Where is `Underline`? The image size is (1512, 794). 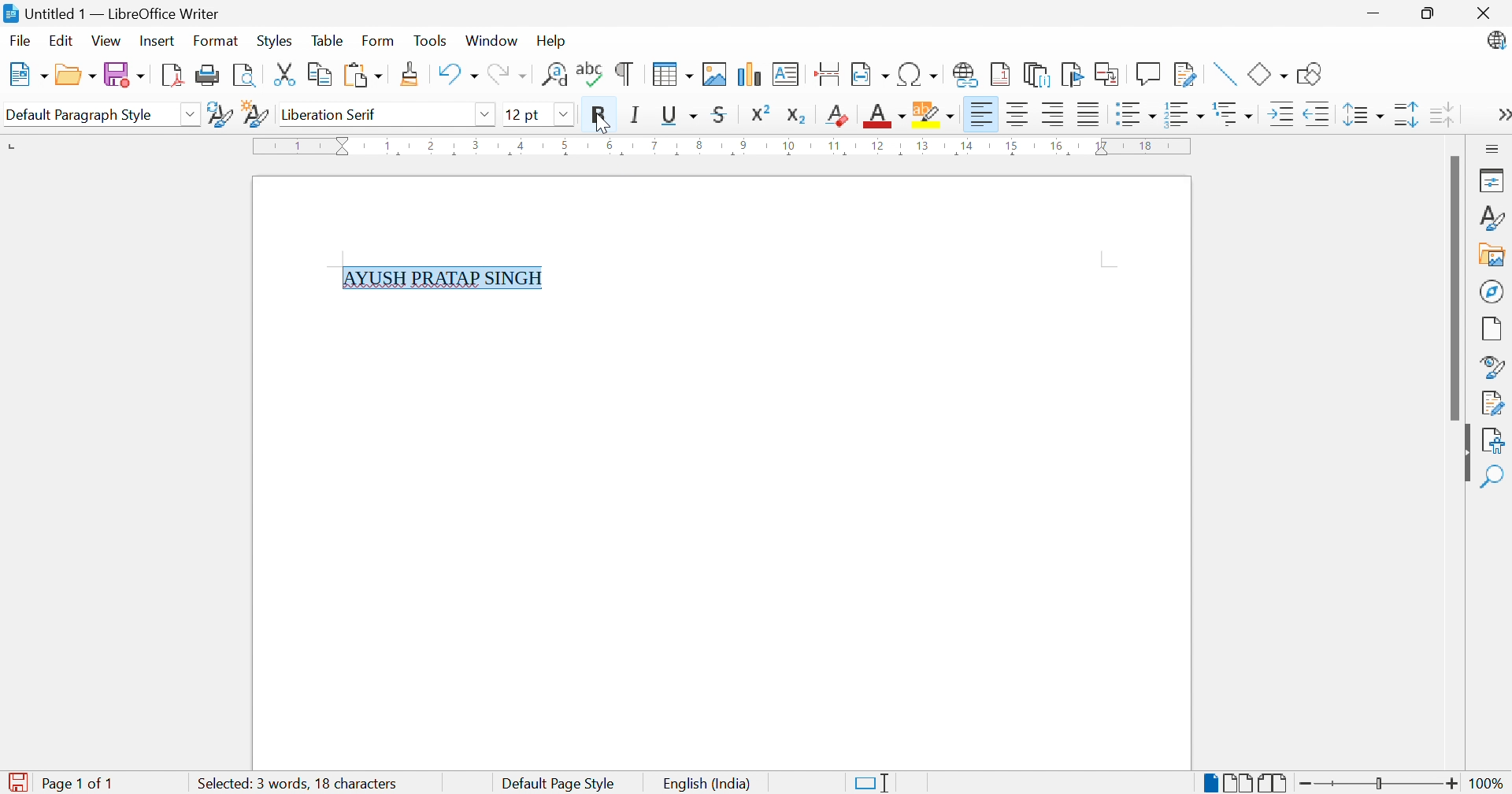 Underline is located at coordinates (679, 116).